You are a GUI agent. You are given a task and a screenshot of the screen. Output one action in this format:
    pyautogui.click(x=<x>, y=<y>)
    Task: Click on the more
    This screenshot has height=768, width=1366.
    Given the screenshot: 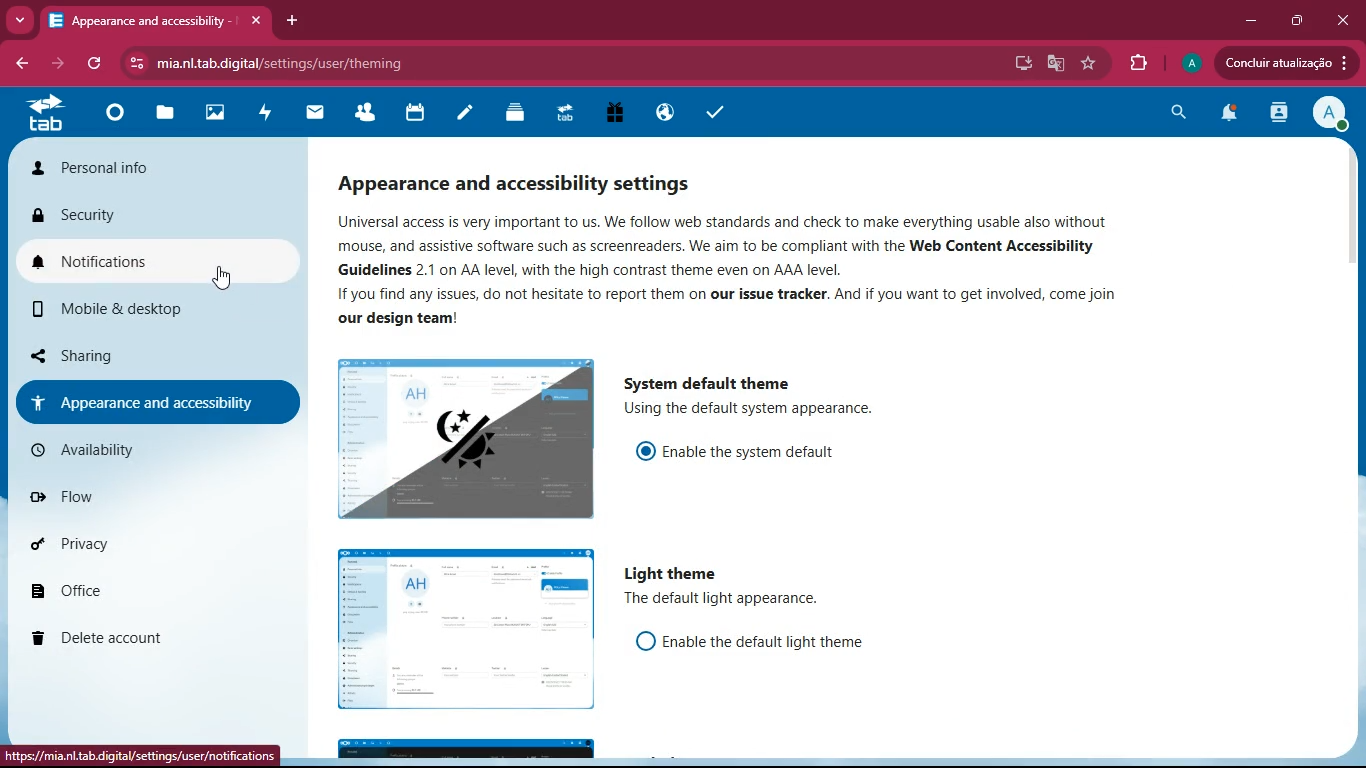 What is the action you would take?
    pyautogui.click(x=18, y=21)
    